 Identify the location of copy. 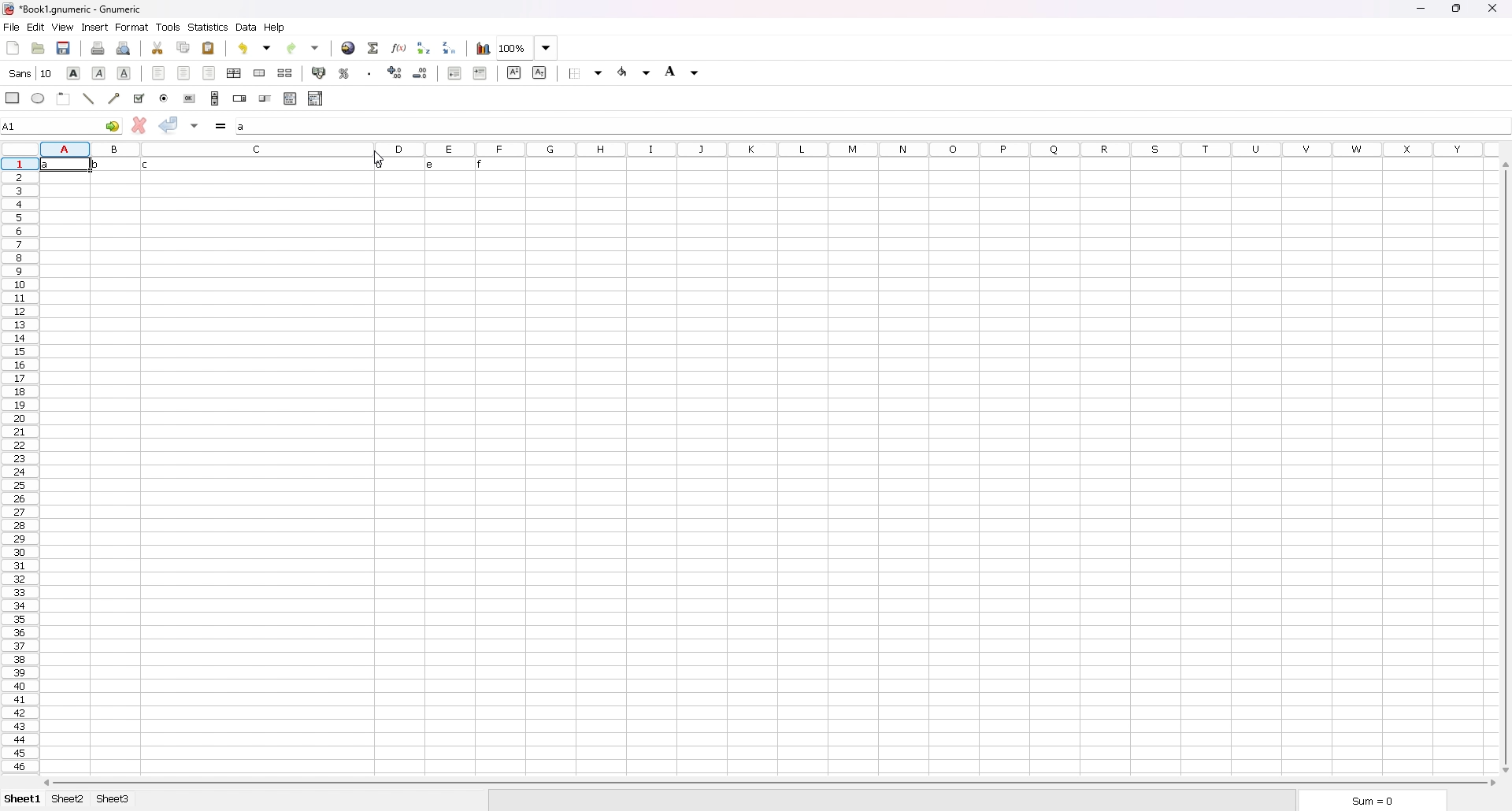
(183, 47).